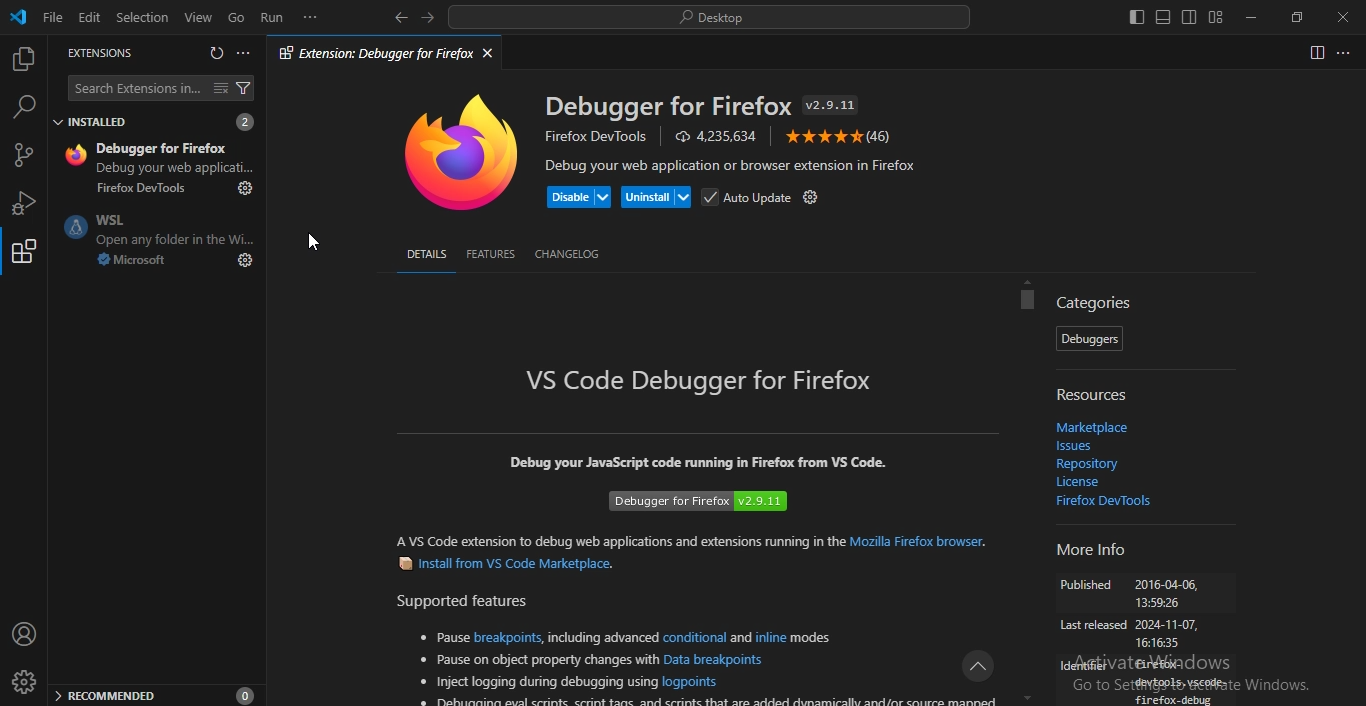 This screenshot has height=706, width=1366. What do you see at coordinates (1098, 426) in the screenshot?
I see `marketplace` at bounding box center [1098, 426].